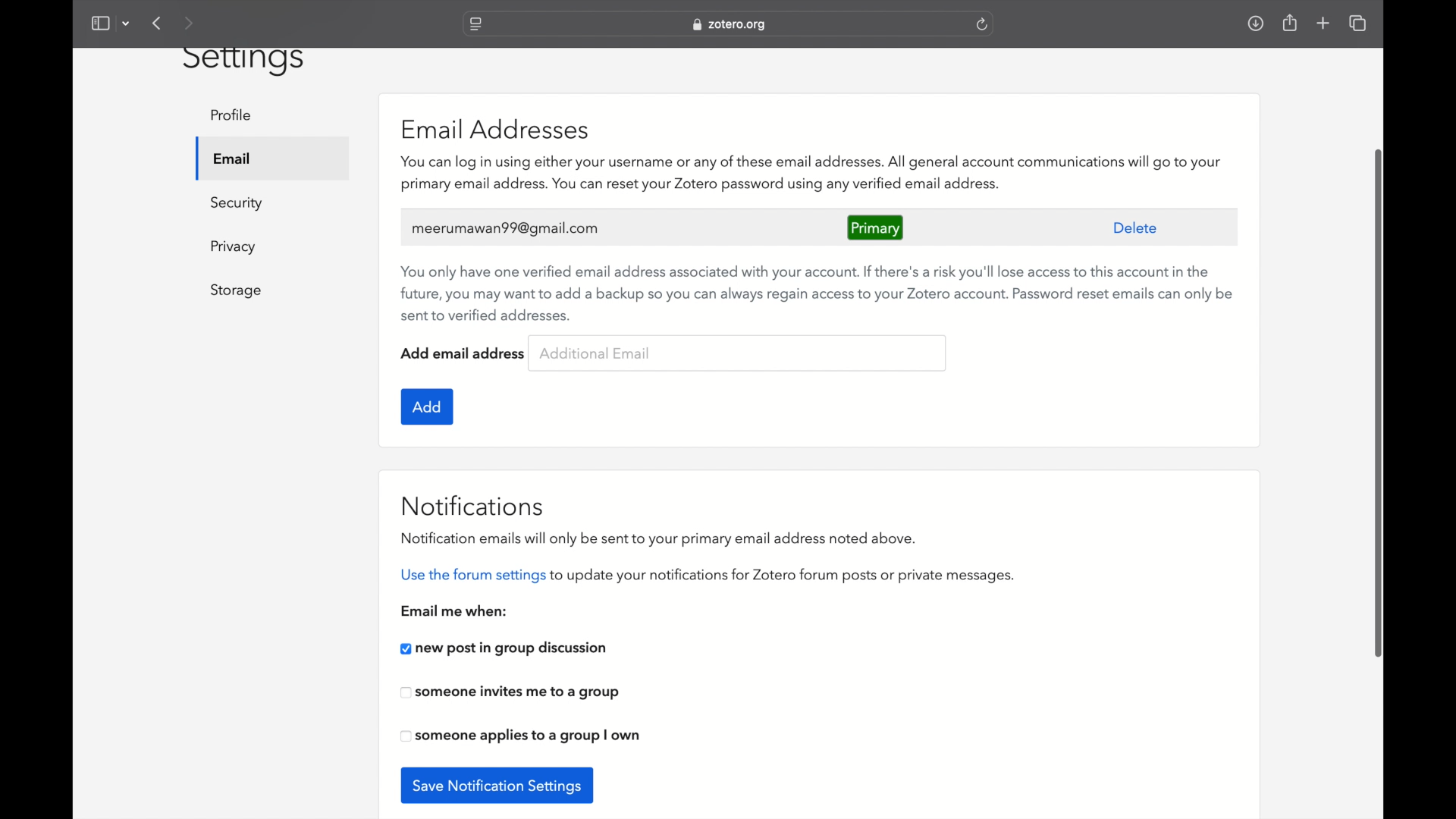 This screenshot has height=819, width=1456. I want to click on profile, so click(231, 116).